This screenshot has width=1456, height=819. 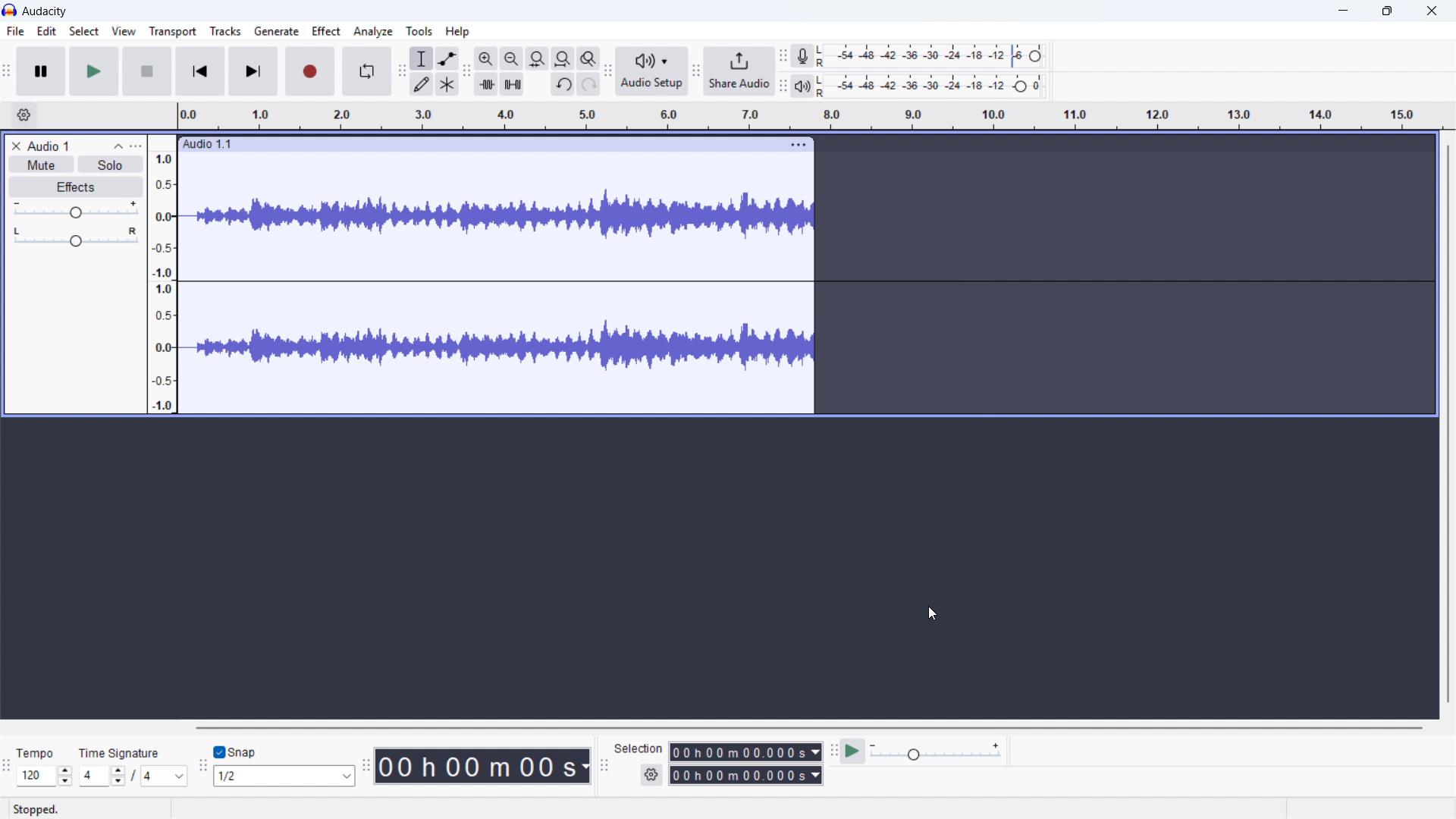 I want to click on Effects , so click(x=74, y=187).